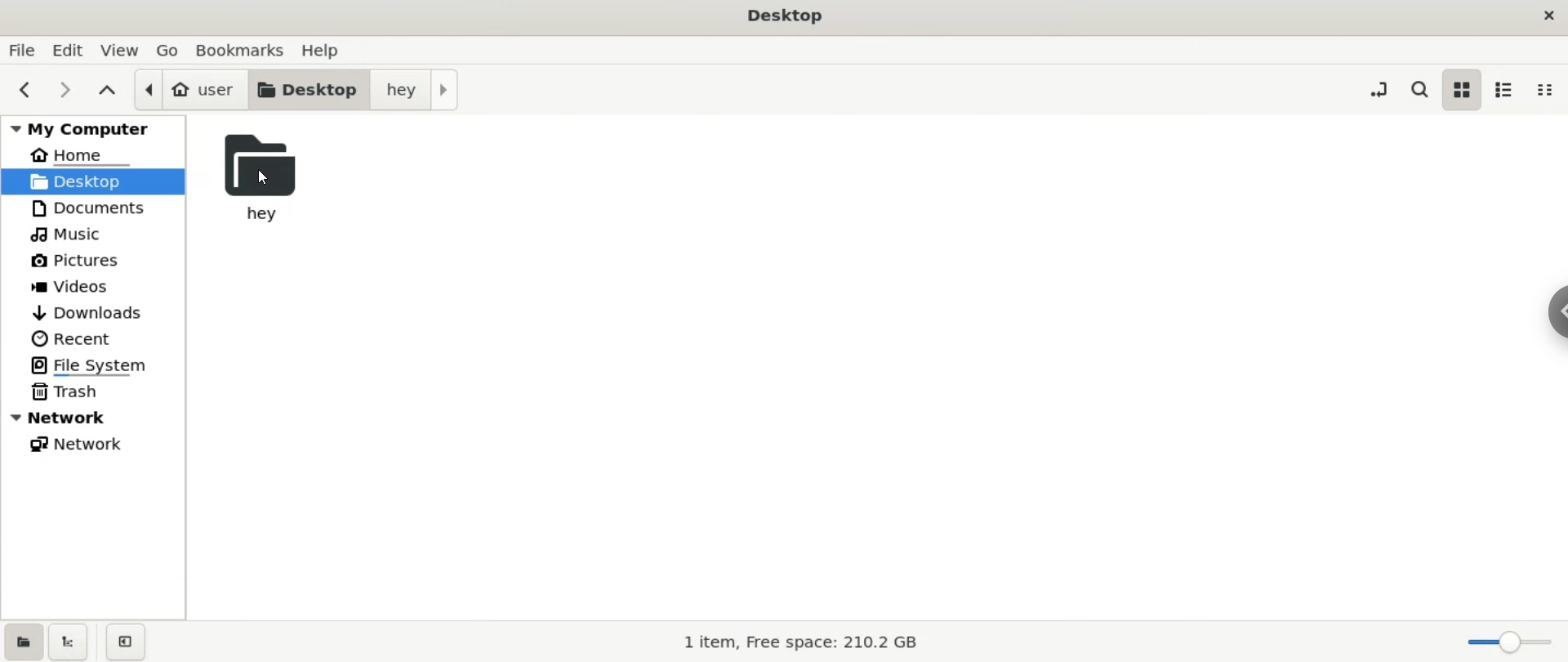 This screenshot has width=1568, height=662. I want to click on sidebar, so click(1558, 311).